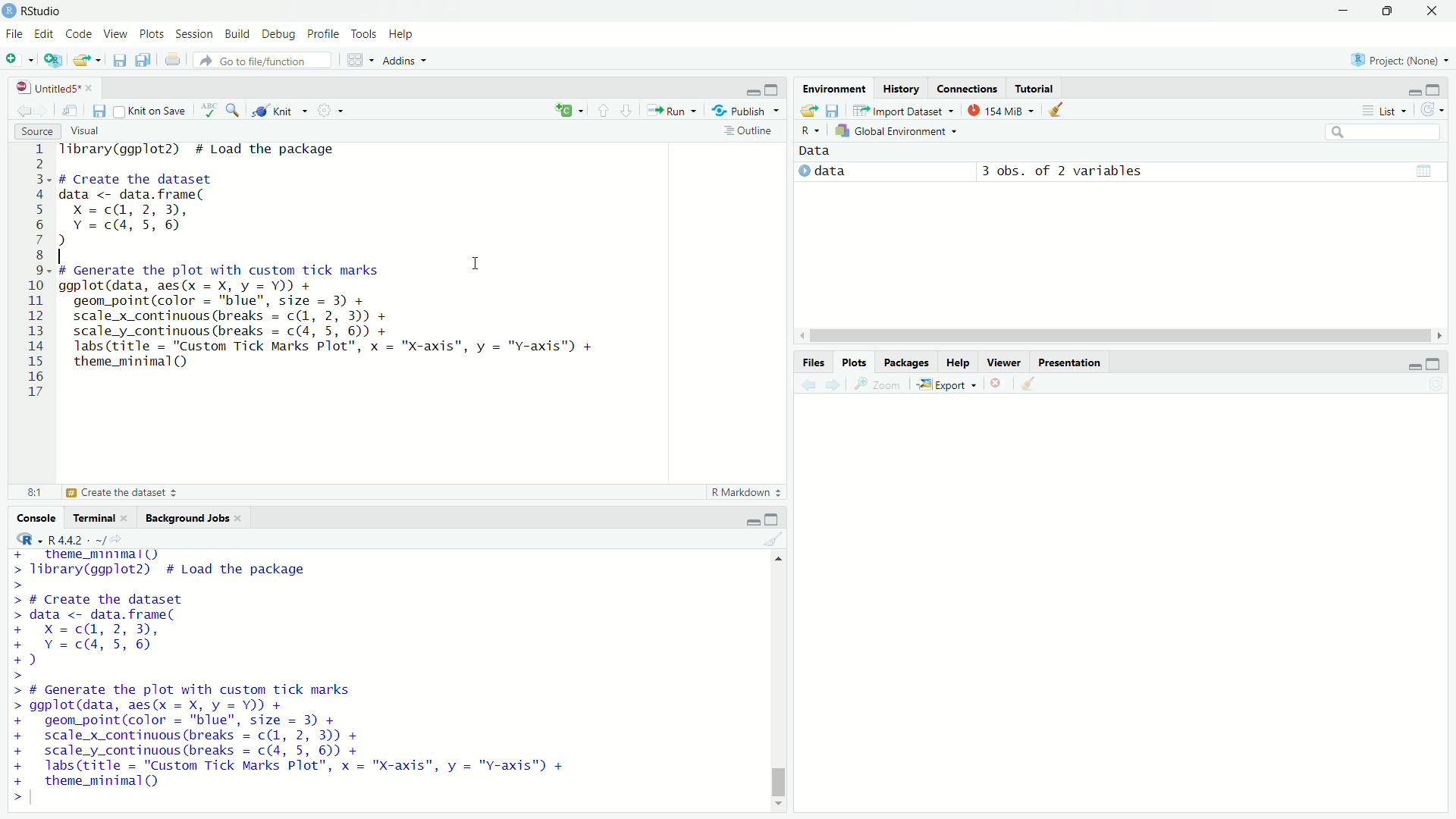 This screenshot has height=819, width=1456. I want to click on library to load the package, so click(217, 150).